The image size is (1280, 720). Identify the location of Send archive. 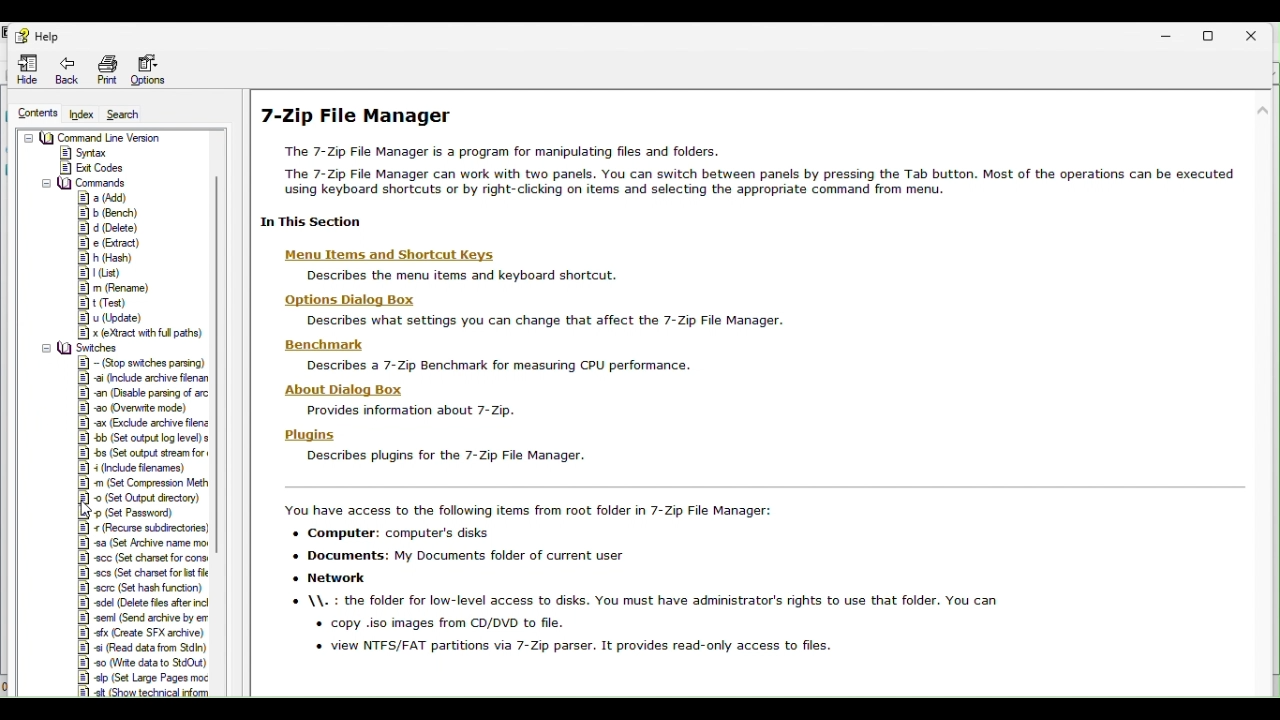
(144, 616).